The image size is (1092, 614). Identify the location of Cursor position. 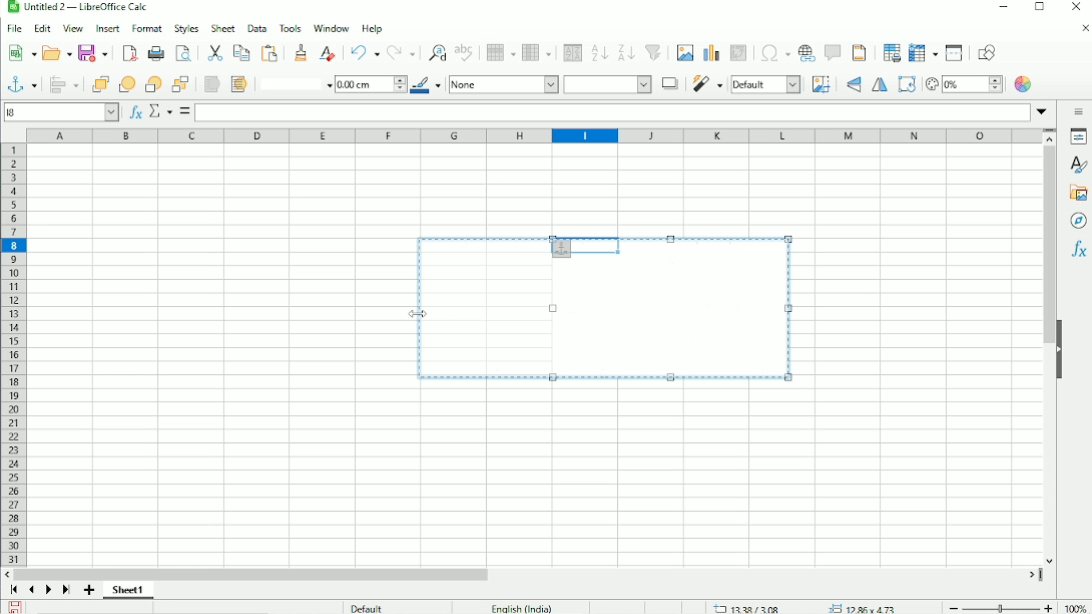
(806, 607).